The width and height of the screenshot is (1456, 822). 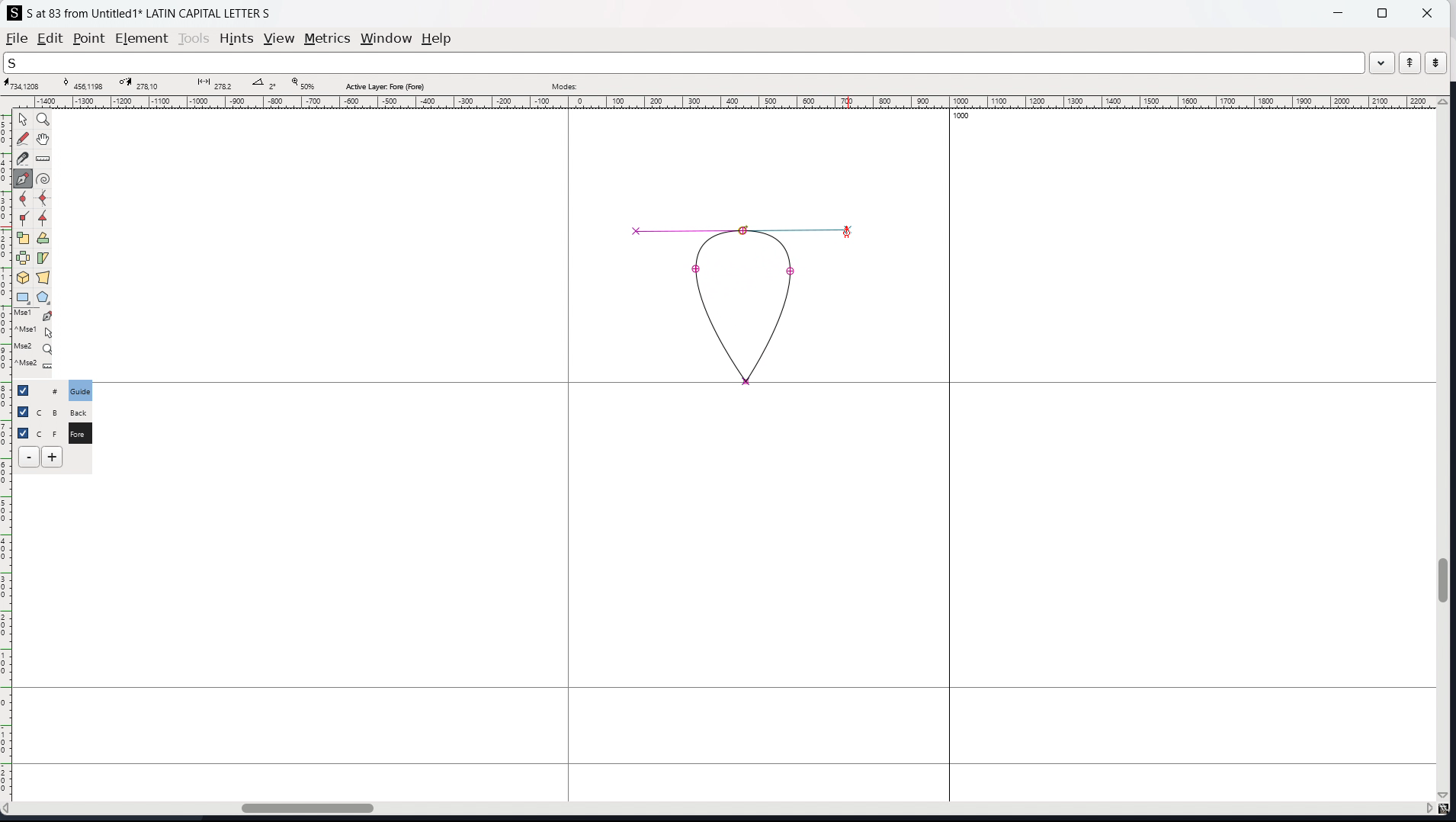 I want to click on logo, so click(x=14, y=13).